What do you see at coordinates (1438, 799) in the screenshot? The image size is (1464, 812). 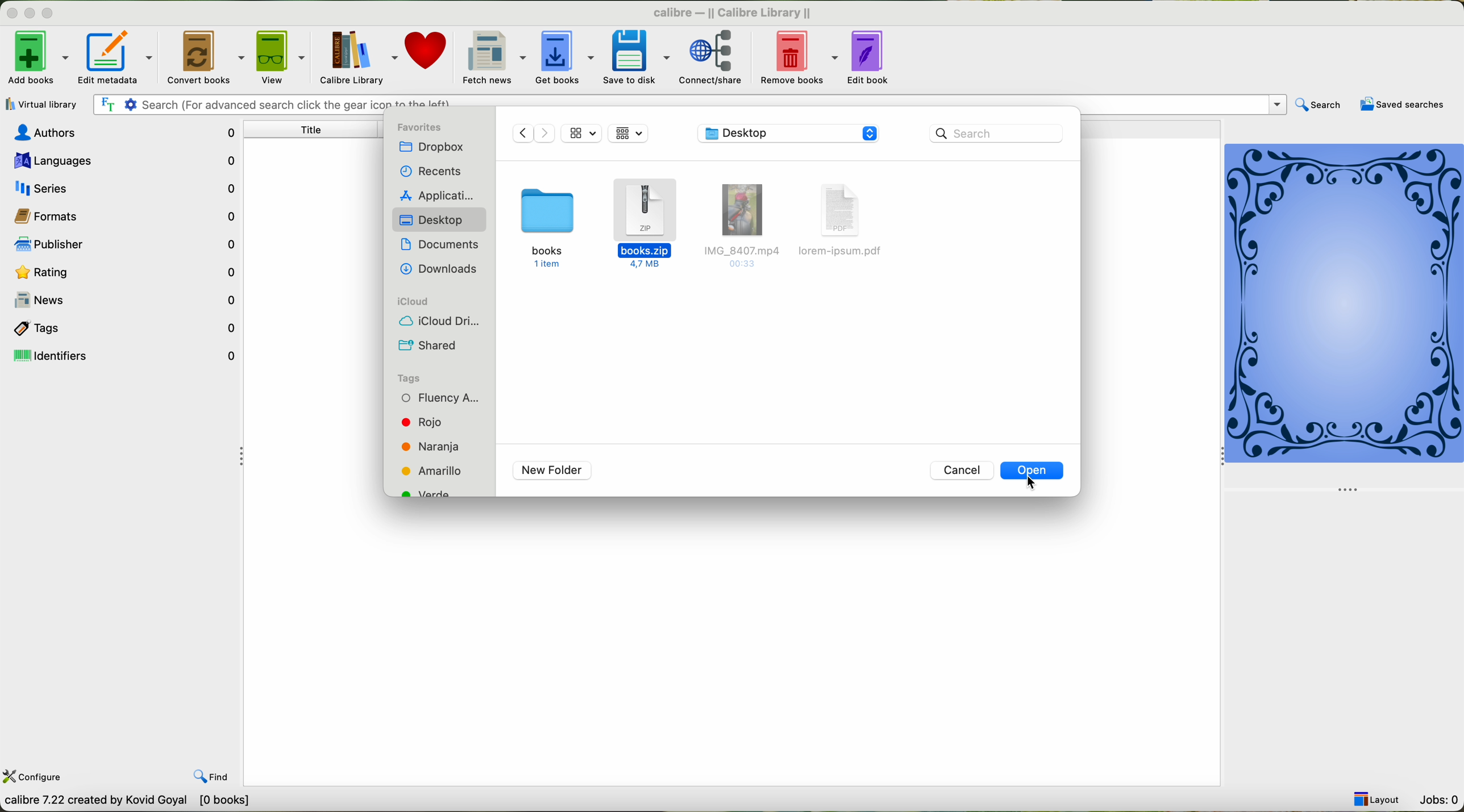 I see `jobs: 0` at bounding box center [1438, 799].